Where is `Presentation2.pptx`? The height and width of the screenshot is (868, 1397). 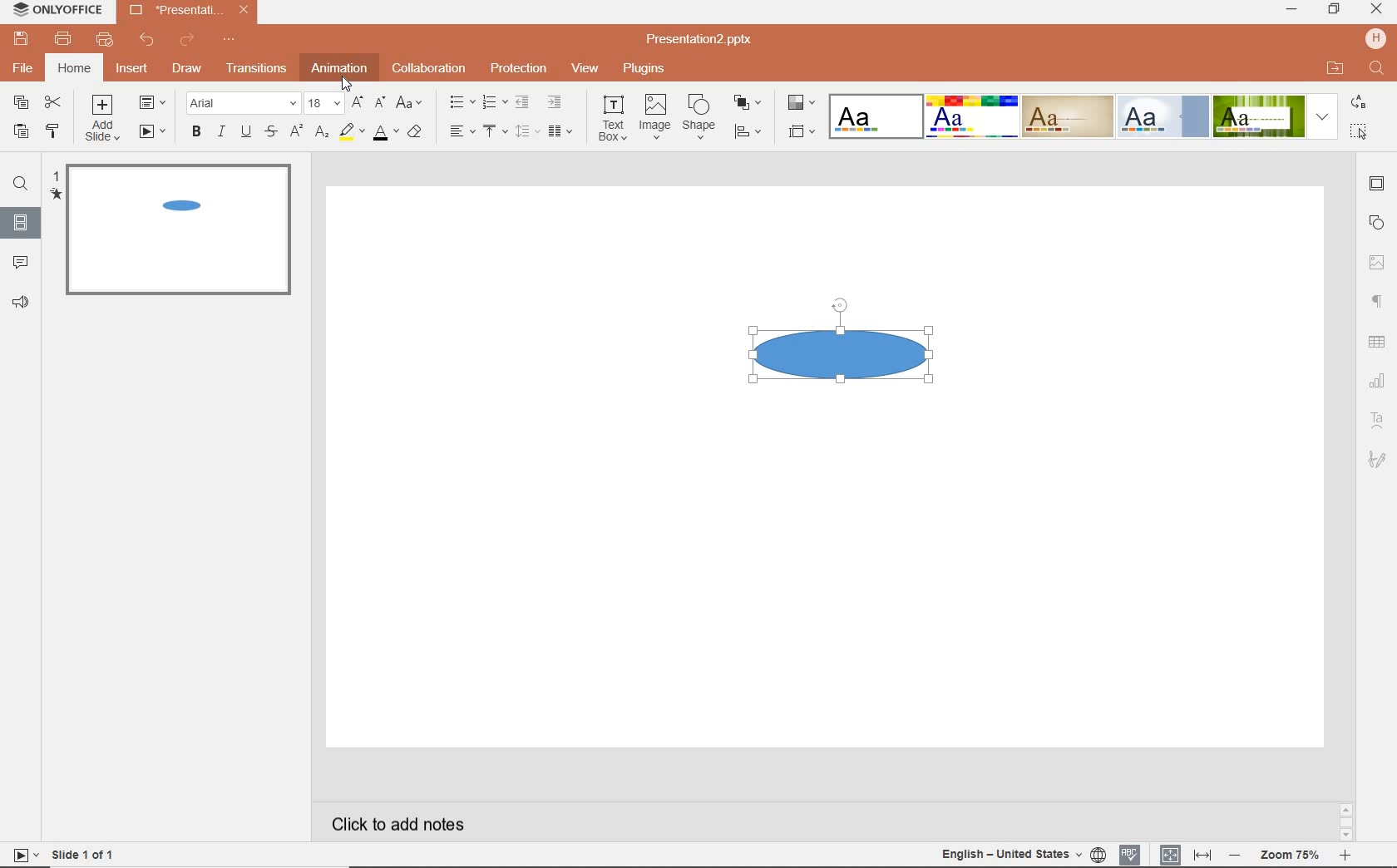 Presentation2.pptx is located at coordinates (188, 12).